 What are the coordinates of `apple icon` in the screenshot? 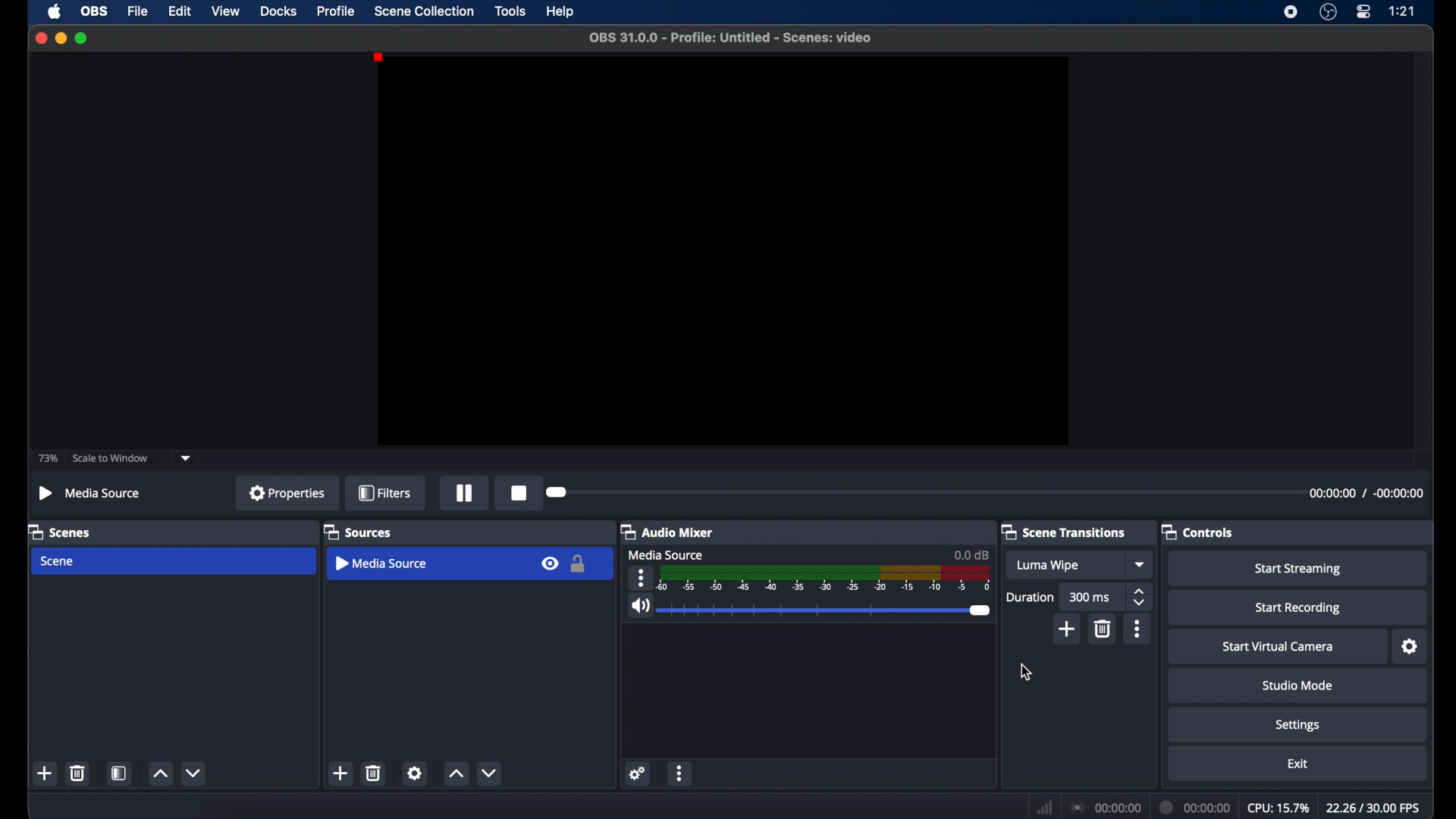 It's located at (54, 11).